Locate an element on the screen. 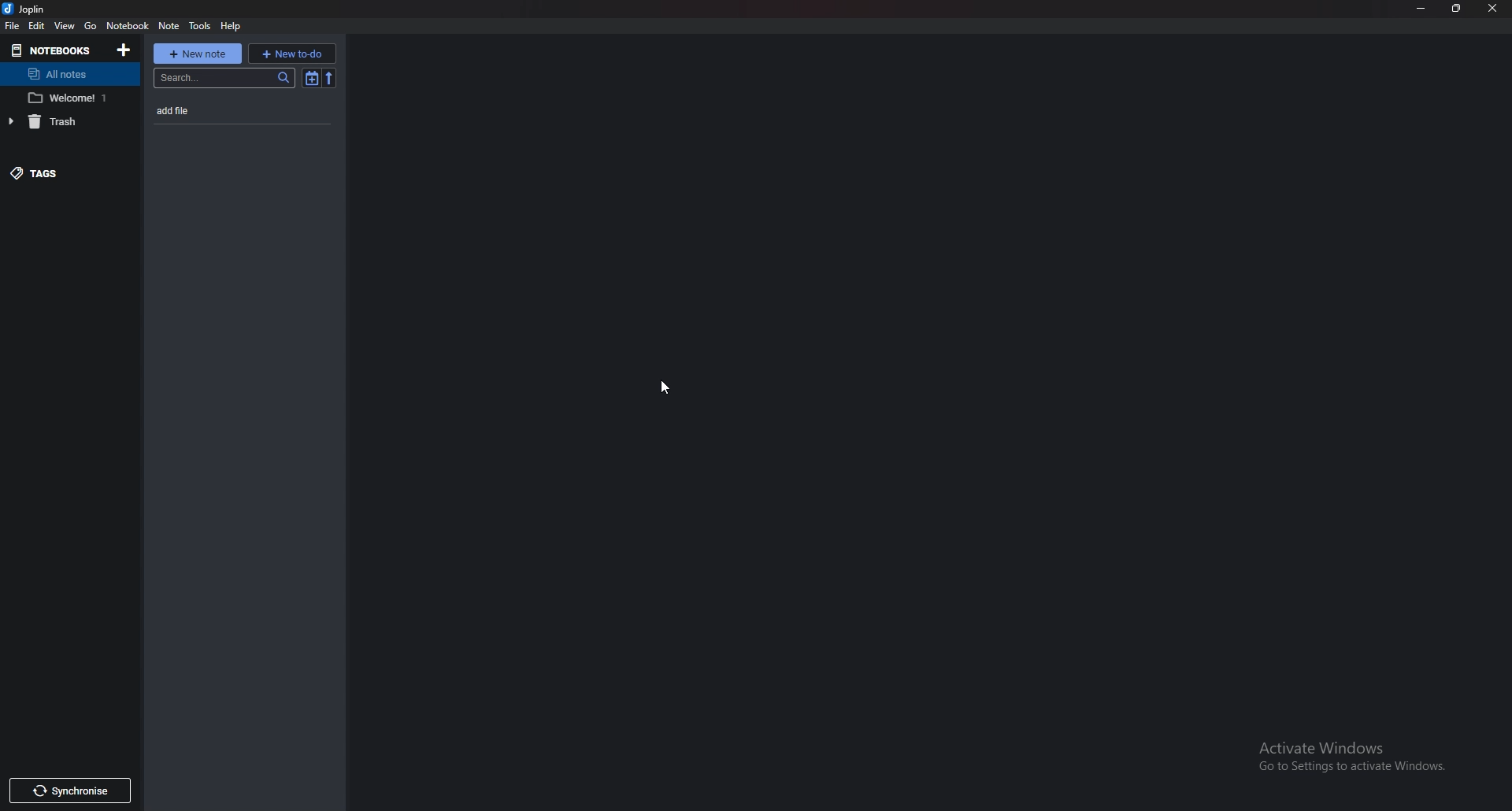  close is located at coordinates (1493, 8).